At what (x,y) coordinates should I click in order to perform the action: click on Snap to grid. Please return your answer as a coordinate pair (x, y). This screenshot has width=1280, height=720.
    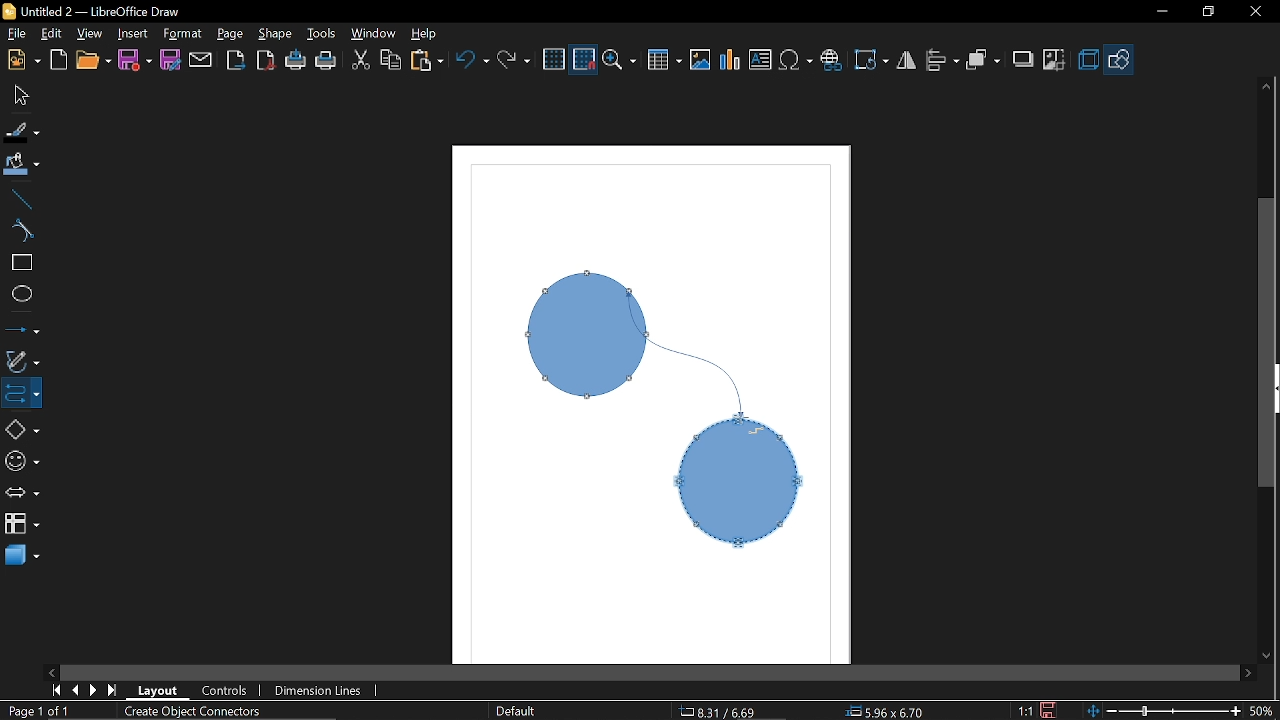
    Looking at the image, I should click on (585, 60).